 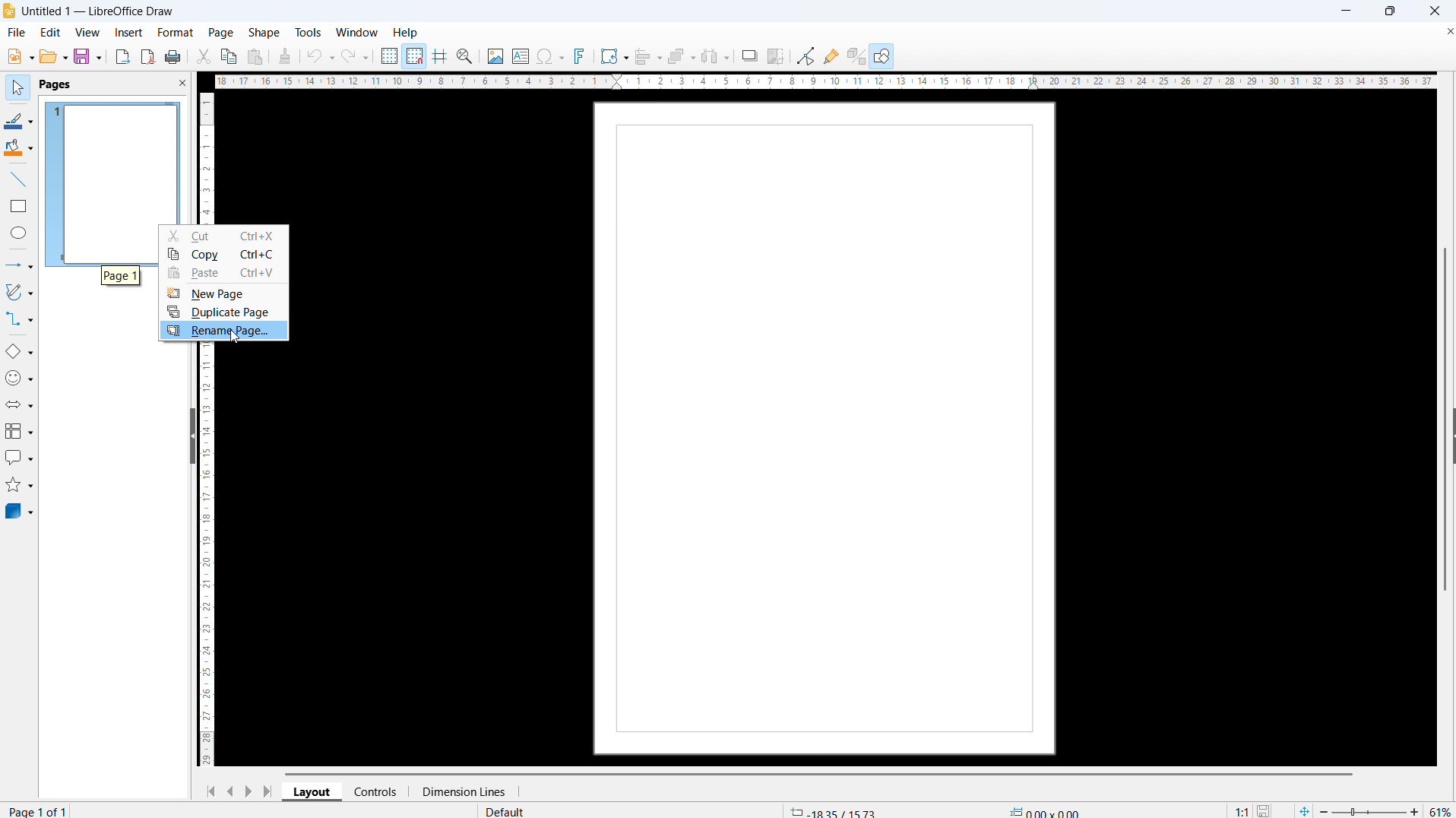 What do you see at coordinates (248, 791) in the screenshot?
I see `next page` at bounding box center [248, 791].